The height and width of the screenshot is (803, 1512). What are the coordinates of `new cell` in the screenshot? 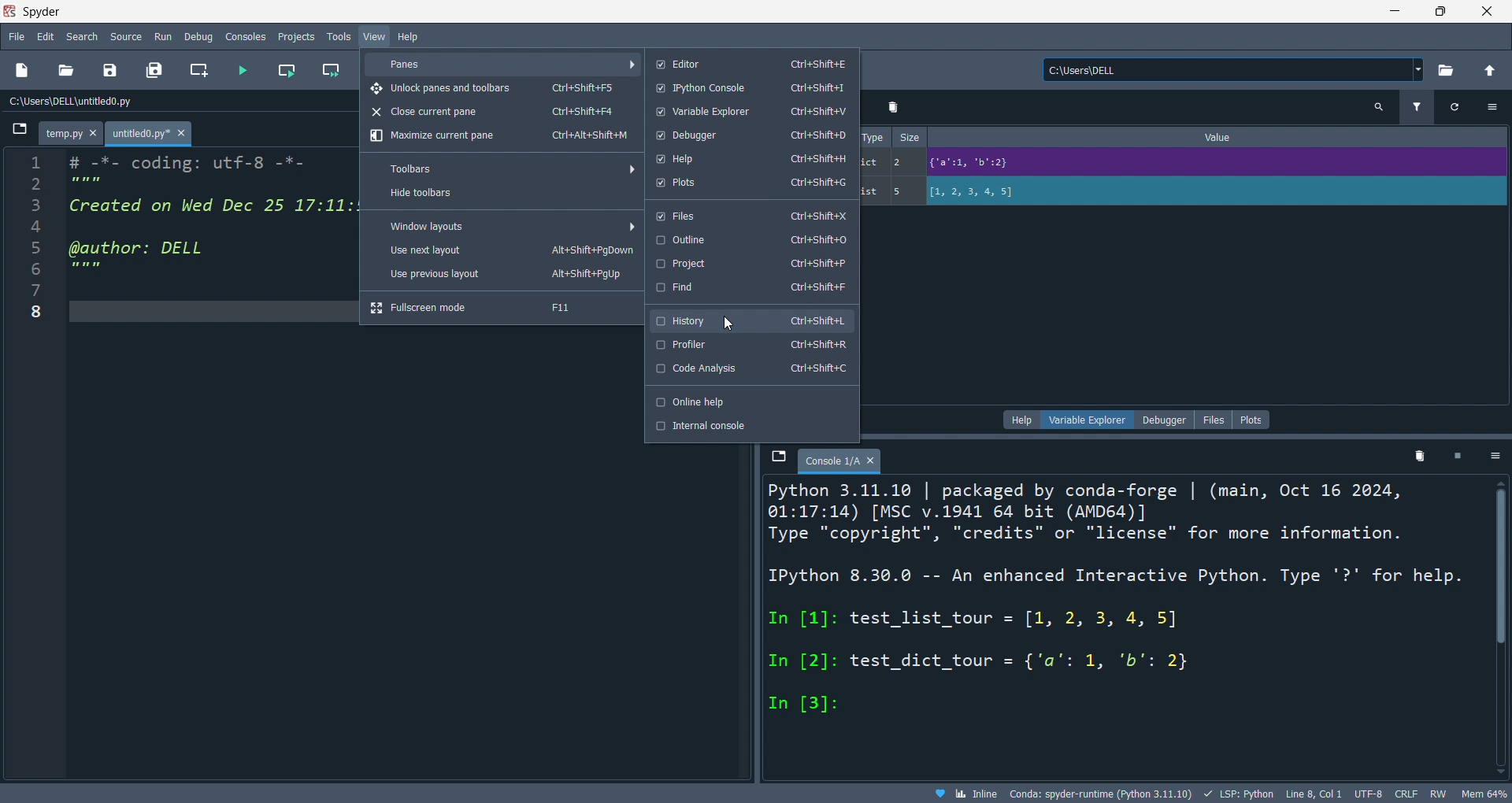 It's located at (197, 71).